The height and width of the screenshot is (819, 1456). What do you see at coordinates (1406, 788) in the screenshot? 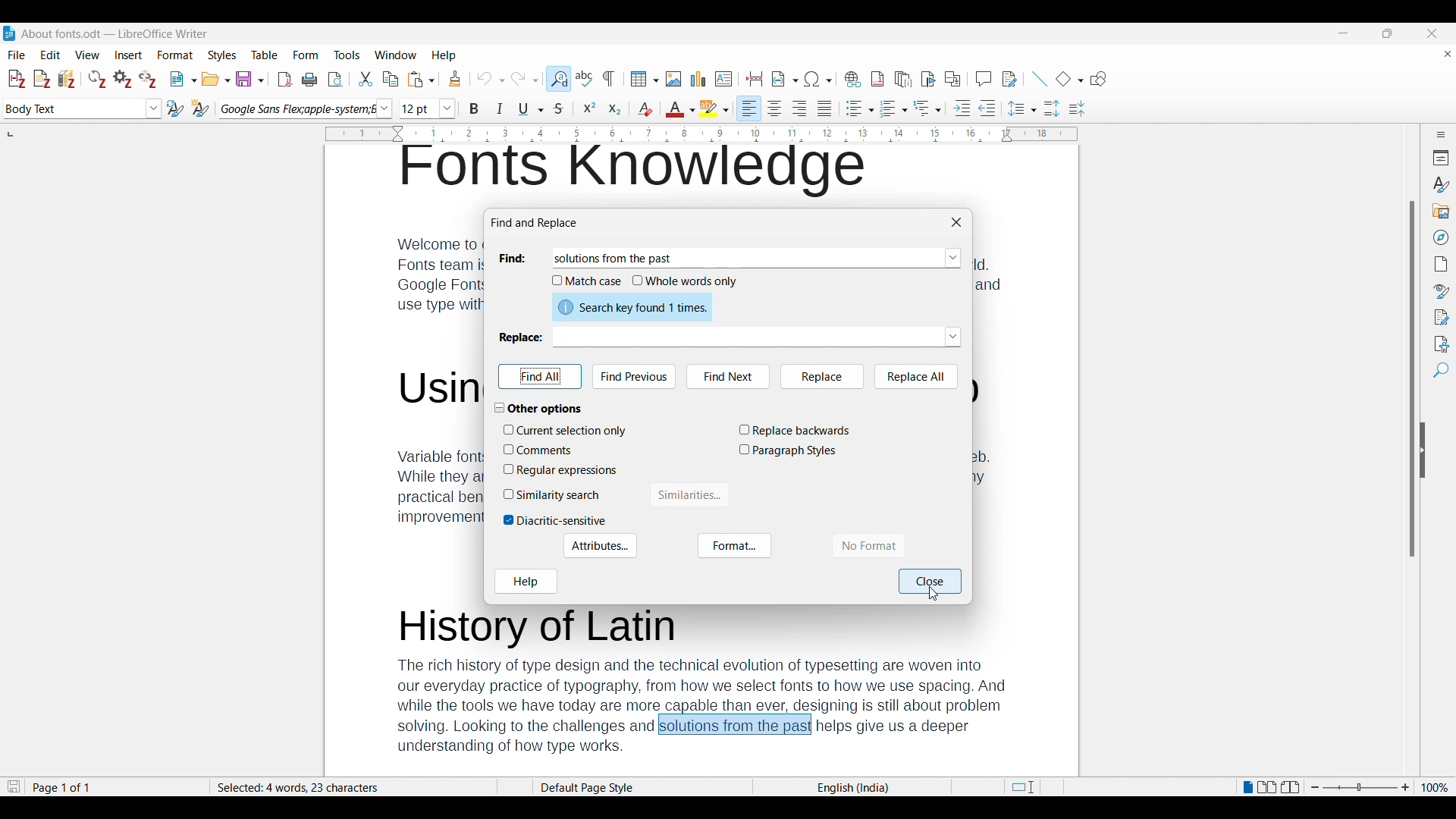
I see `Zoom in` at bounding box center [1406, 788].